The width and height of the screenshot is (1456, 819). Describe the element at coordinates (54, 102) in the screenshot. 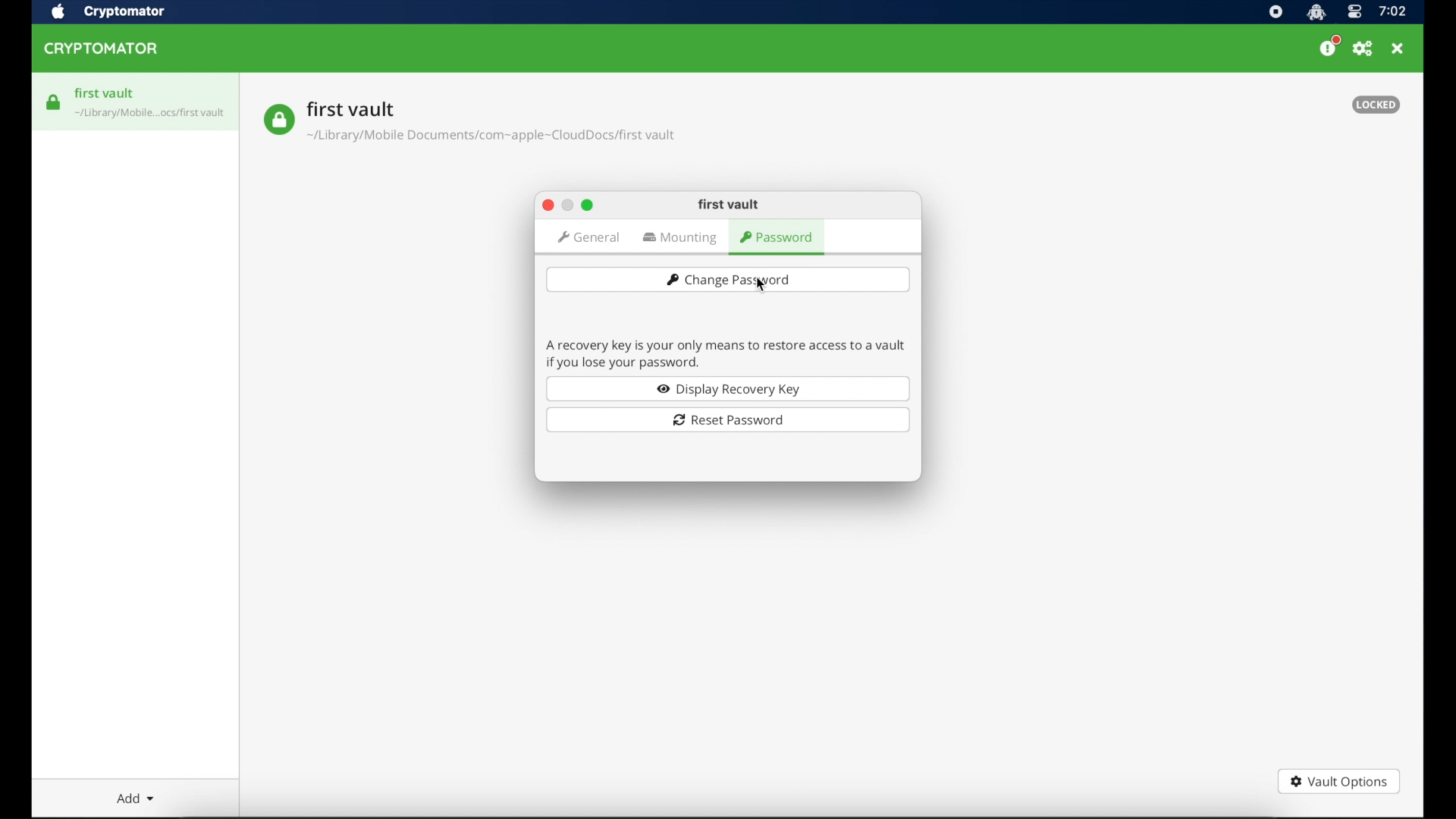

I see `vault icon` at that location.